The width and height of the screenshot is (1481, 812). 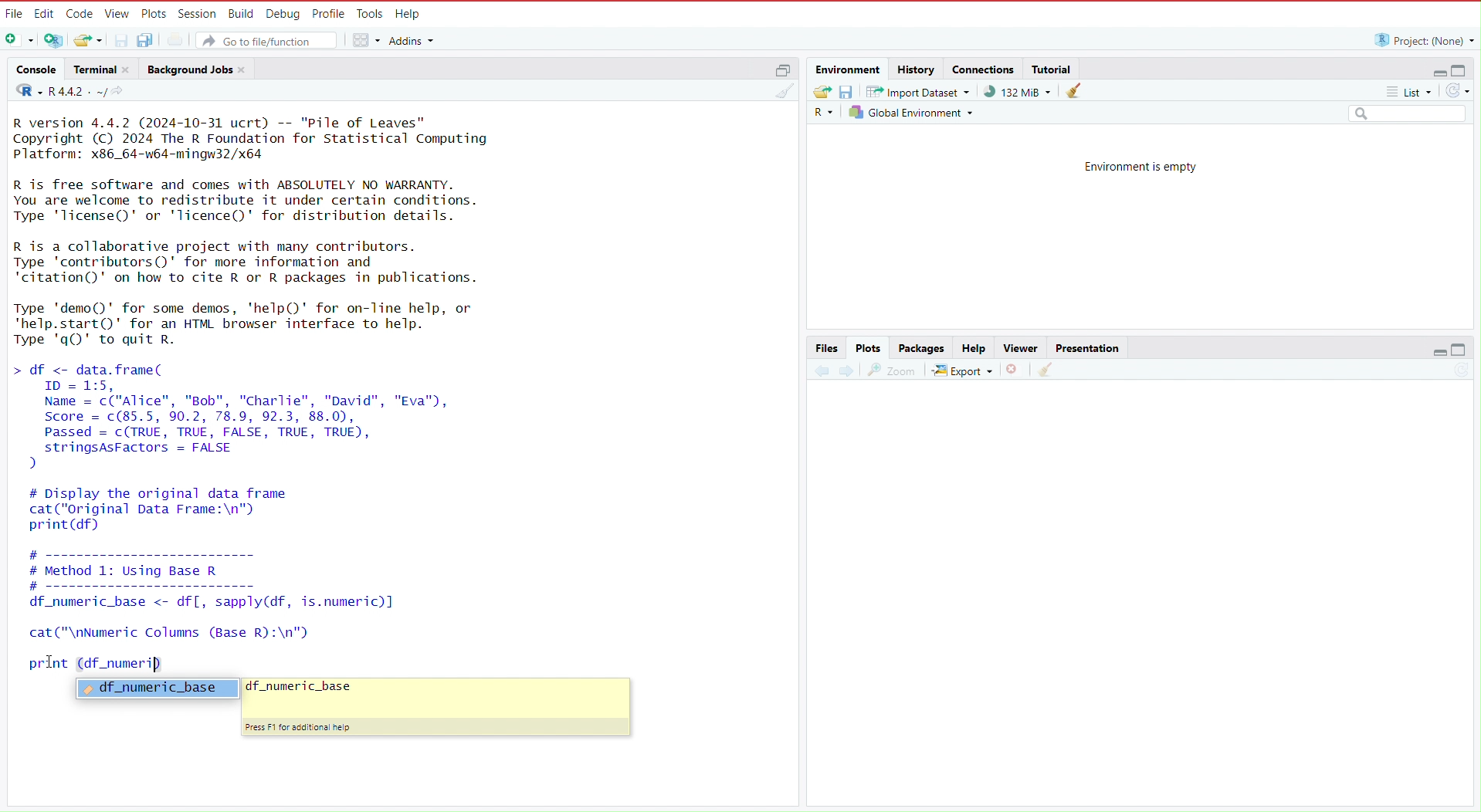 I want to click on view the current working directory, so click(x=121, y=91).